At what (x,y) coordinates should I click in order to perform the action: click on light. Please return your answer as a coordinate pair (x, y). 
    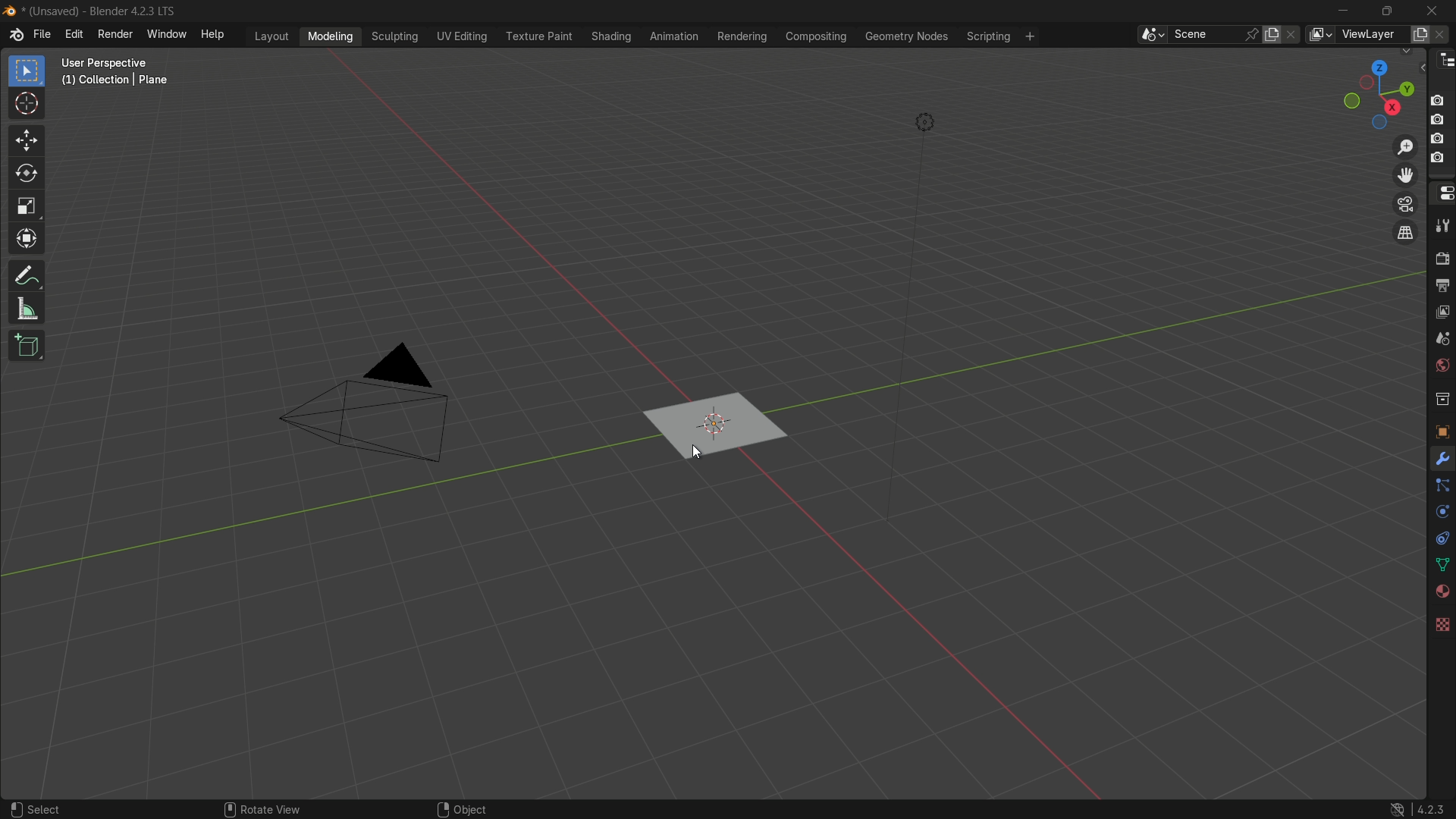
    Looking at the image, I should click on (924, 121).